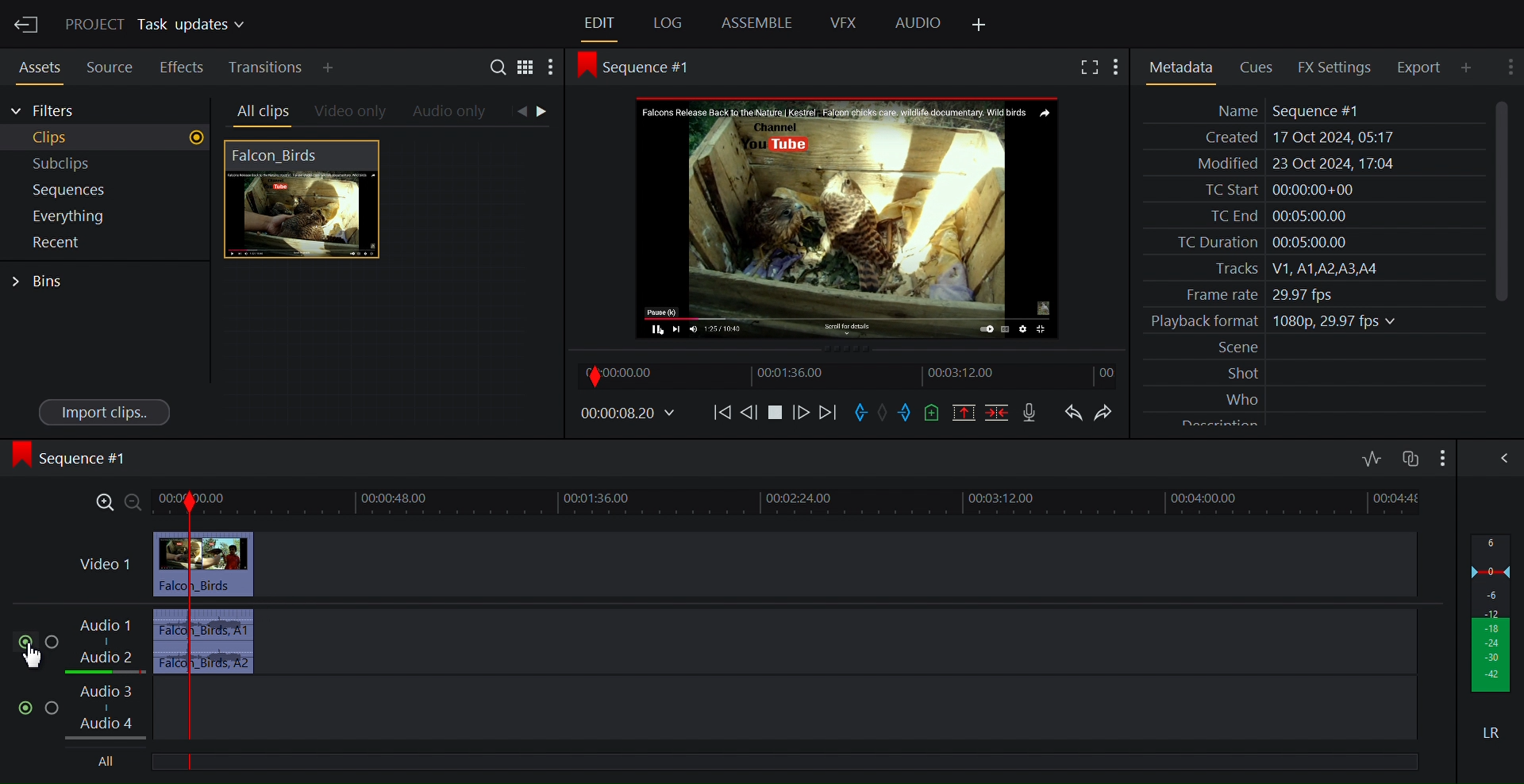  Describe the element at coordinates (1311, 190) in the screenshot. I see `TC Start` at that location.